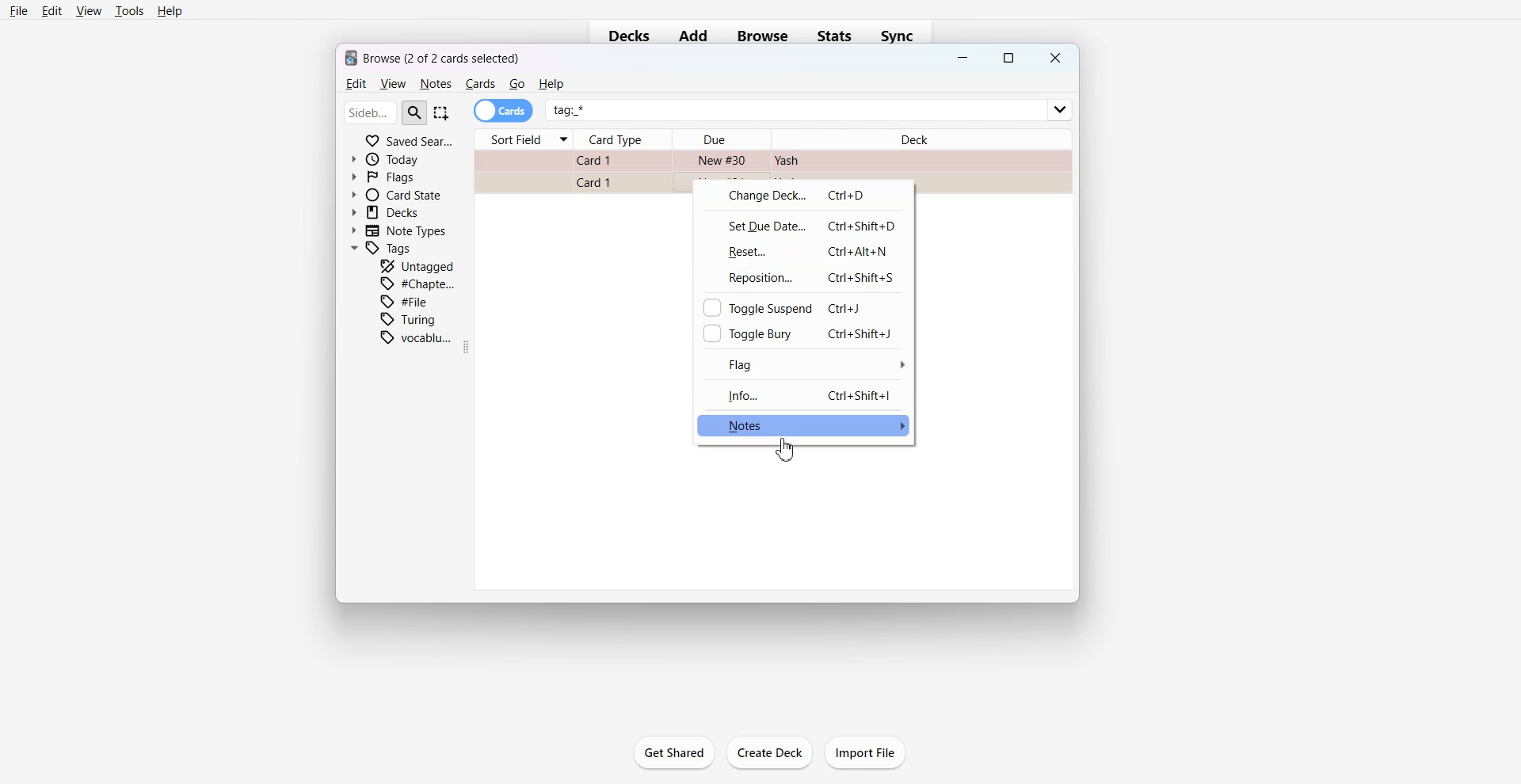 The width and height of the screenshot is (1521, 784). What do you see at coordinates (551, 84) in the screenshot?
I see `He` at bounding box center [551, 84].